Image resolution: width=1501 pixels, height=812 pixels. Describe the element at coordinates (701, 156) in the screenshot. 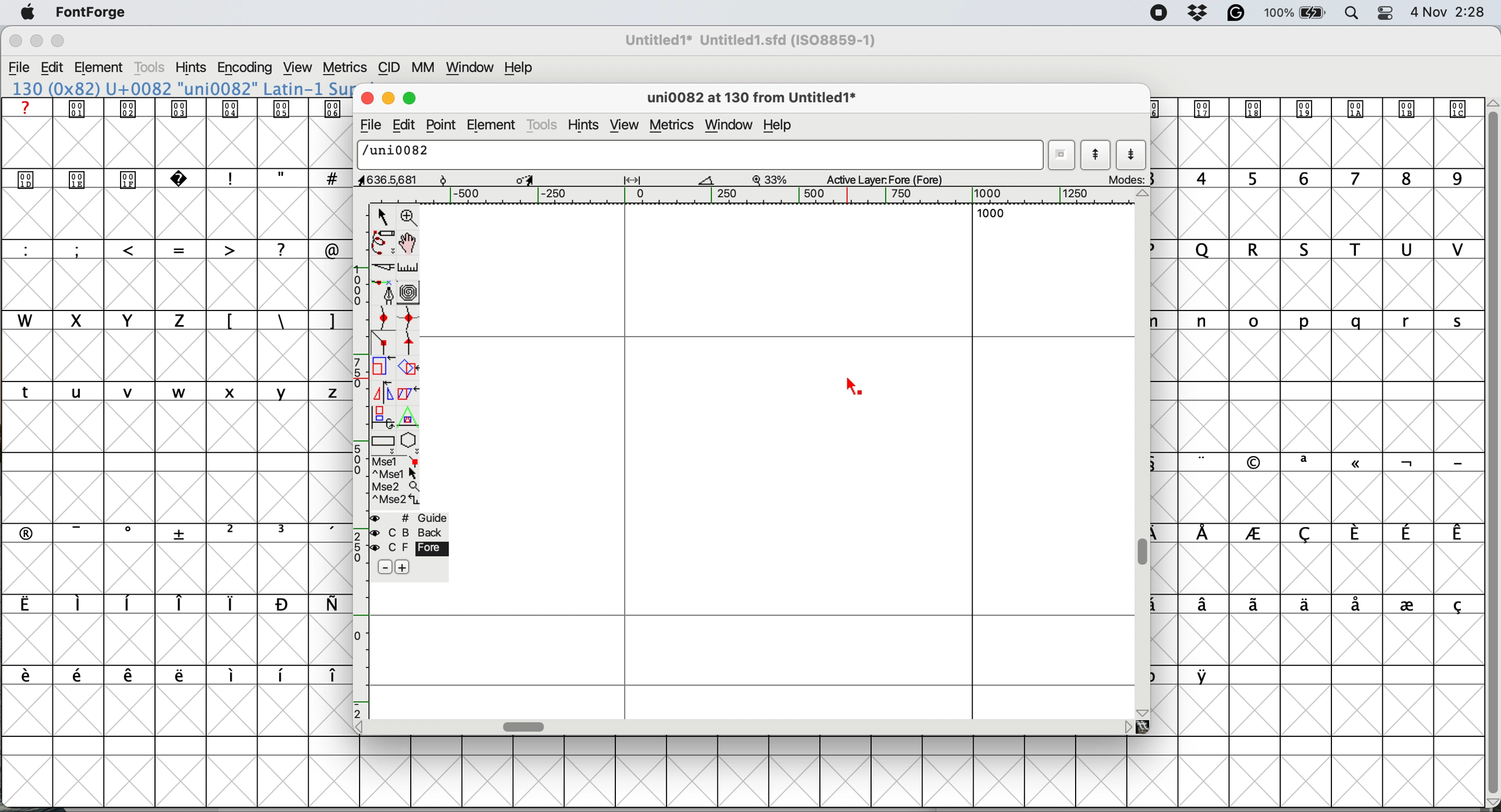

I see `glyph name` at that location.